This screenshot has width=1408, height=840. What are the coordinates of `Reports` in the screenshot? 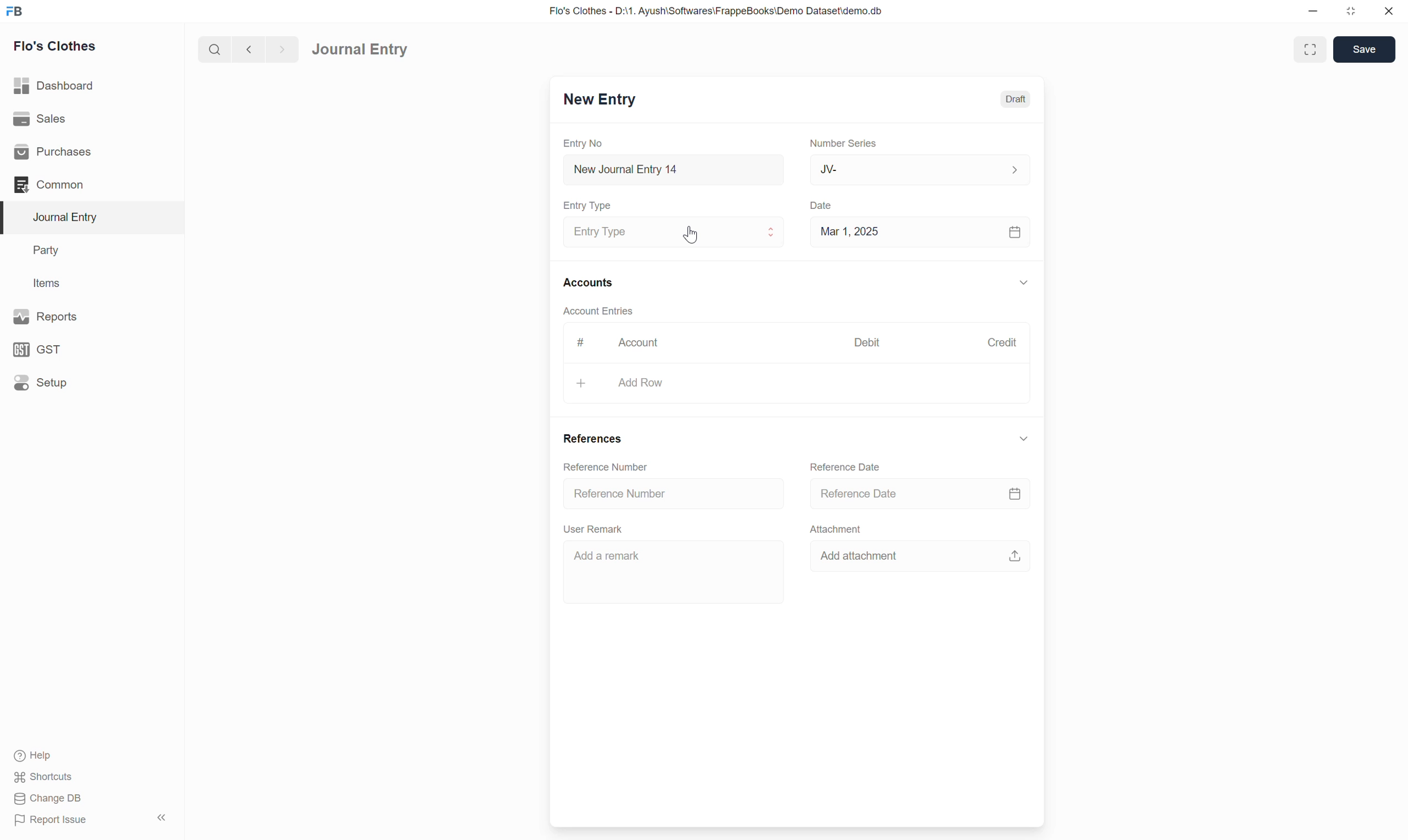 It's located at (49, 316).